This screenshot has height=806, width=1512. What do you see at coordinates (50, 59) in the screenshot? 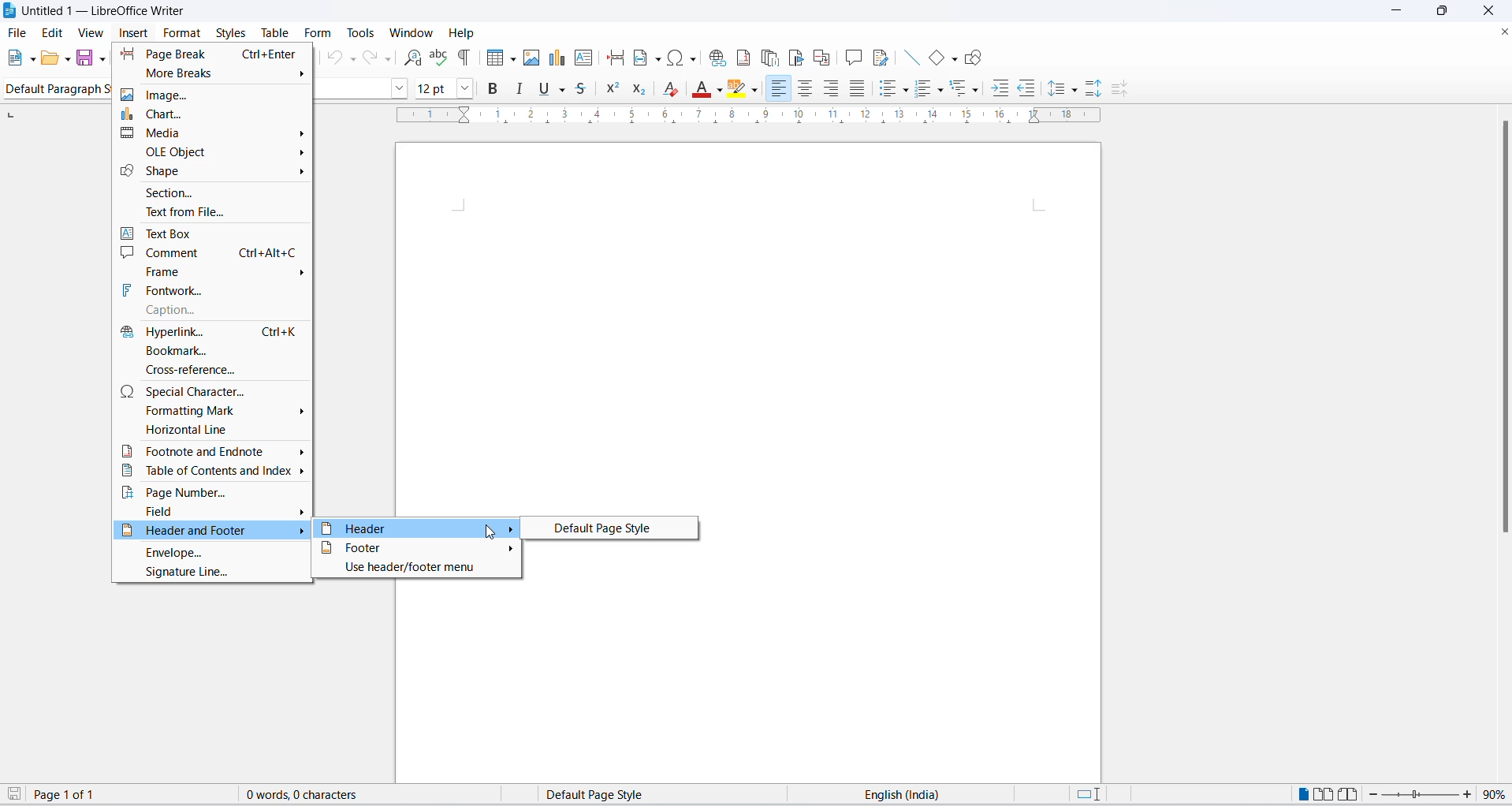
I see `open` at bounding box center [50, 59].